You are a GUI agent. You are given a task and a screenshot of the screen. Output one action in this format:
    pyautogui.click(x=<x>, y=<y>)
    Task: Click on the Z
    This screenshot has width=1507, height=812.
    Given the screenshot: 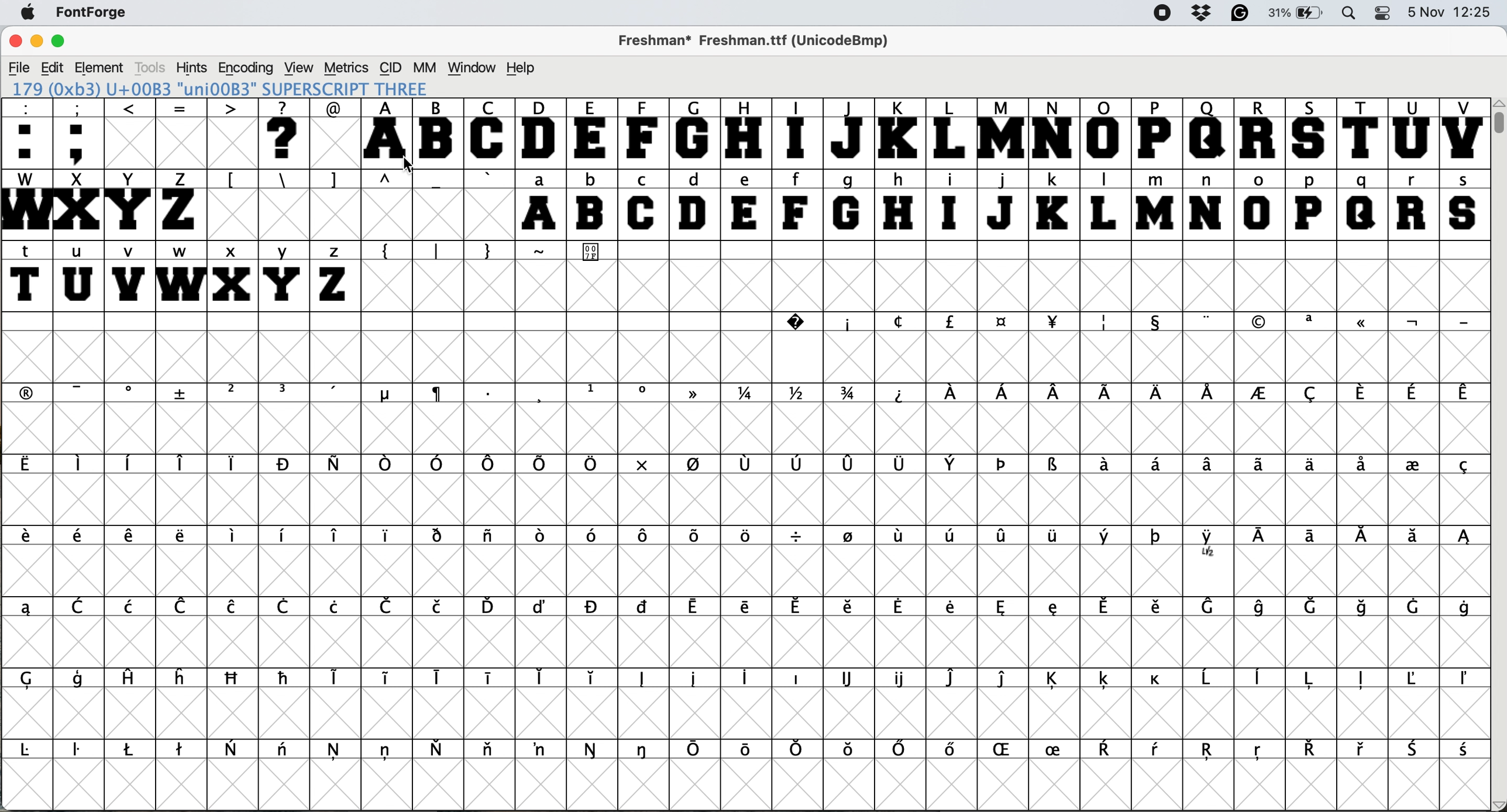 What is the action you would take?
    pyautogui.click(x=181, y=204)
    